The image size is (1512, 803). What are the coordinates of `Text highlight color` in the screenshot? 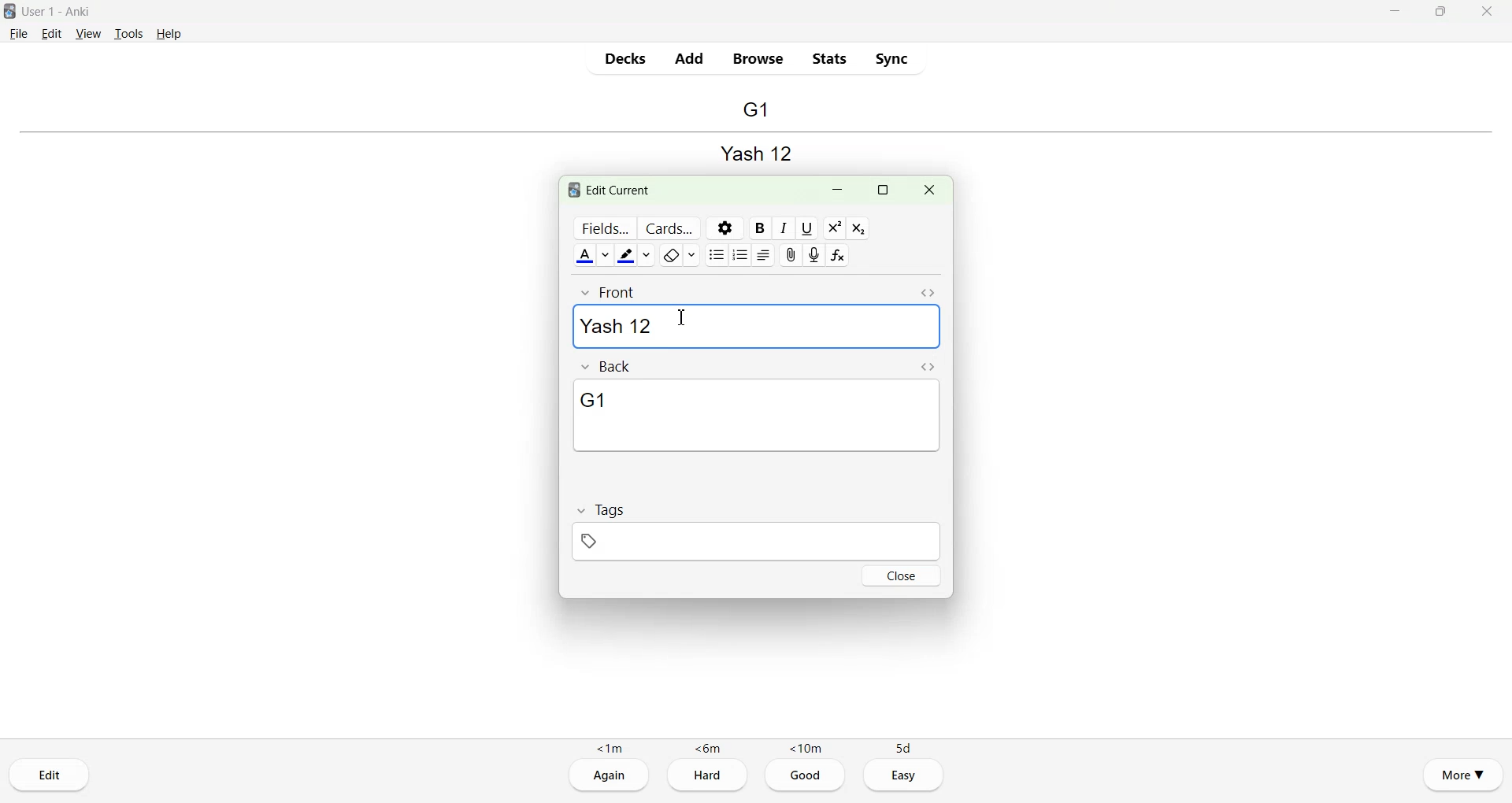 It's located at (627, 256).